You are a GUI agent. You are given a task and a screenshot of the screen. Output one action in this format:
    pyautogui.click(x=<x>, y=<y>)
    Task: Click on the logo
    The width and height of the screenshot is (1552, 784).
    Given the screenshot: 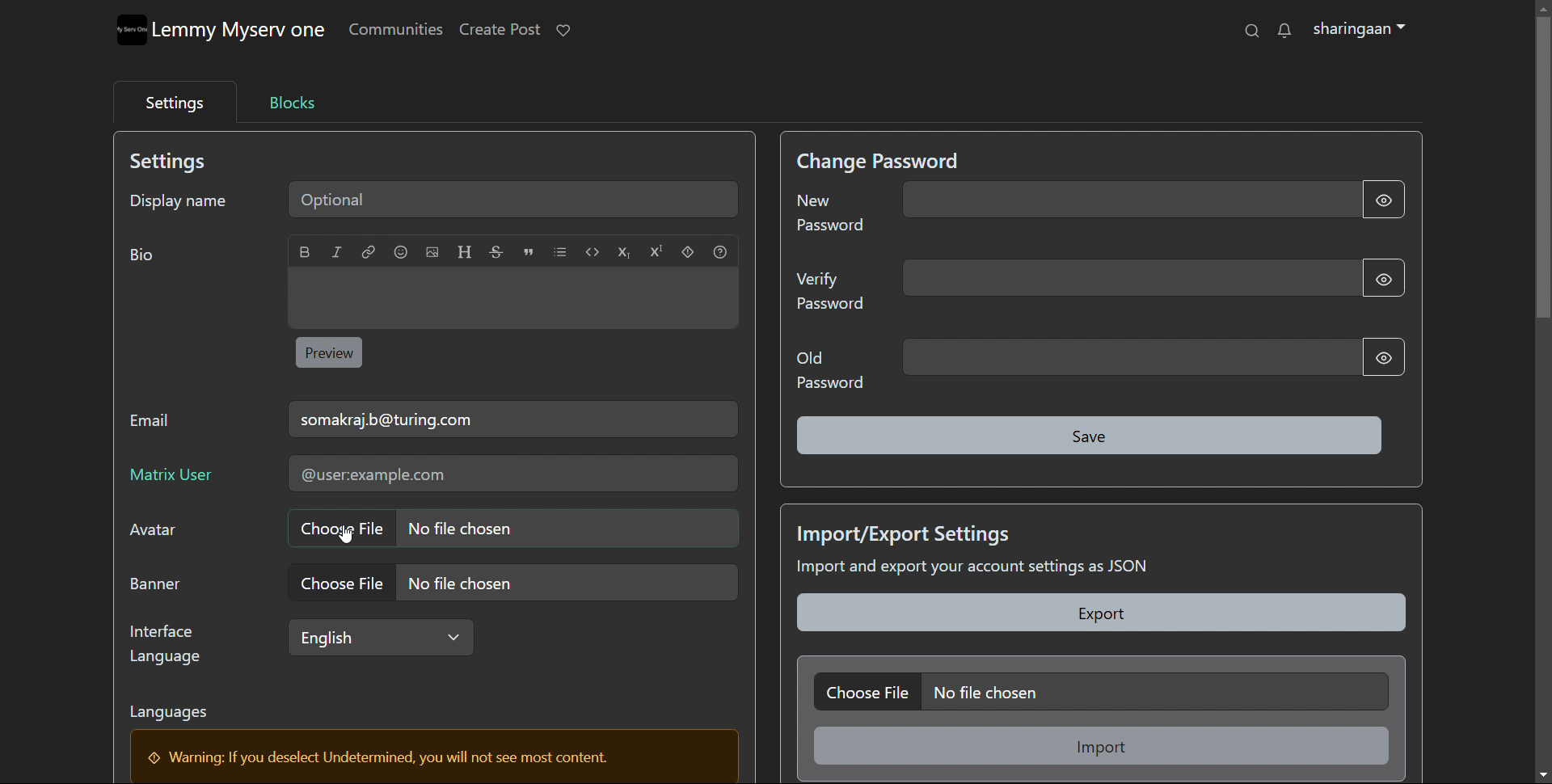 What is the action you would take?
    pyautogui.click(x=133, y=31)
    